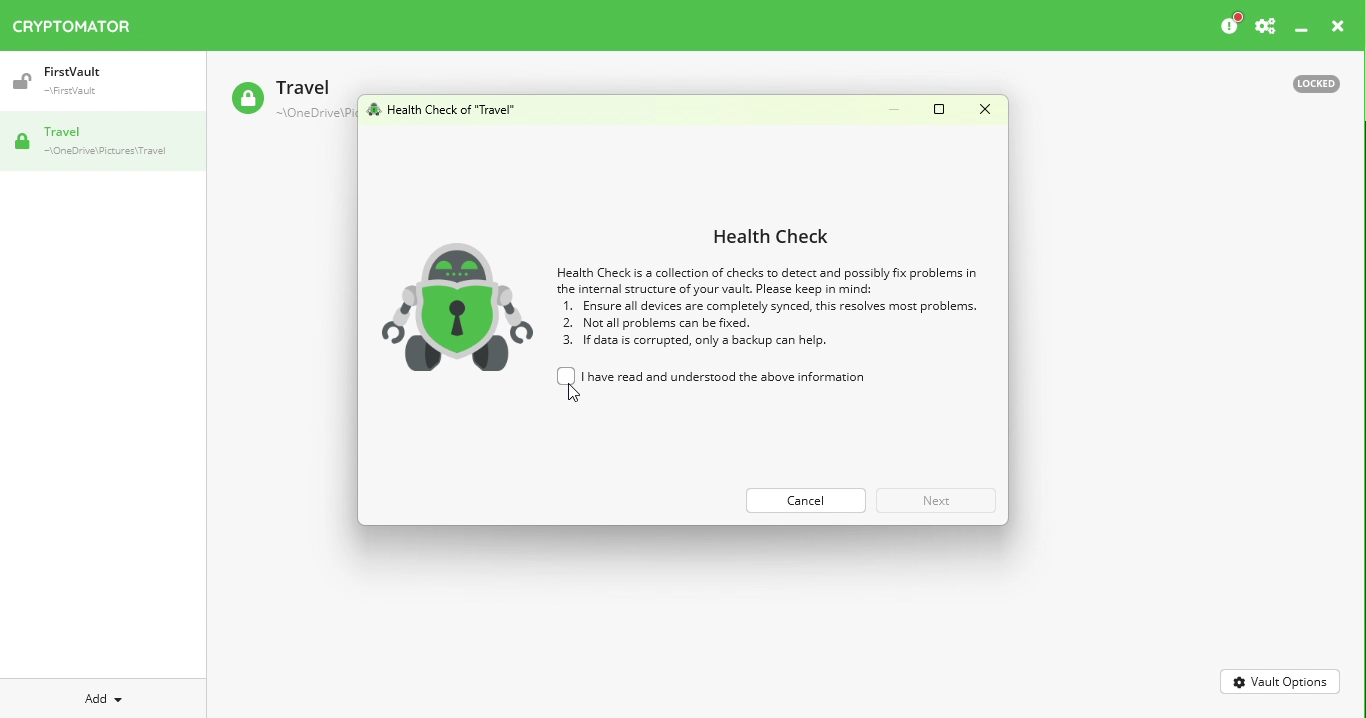 This screenshot has width=1366, height=718. Describe the element at coordinates (1340, 27) in the screenshot. I see `close` at that location.